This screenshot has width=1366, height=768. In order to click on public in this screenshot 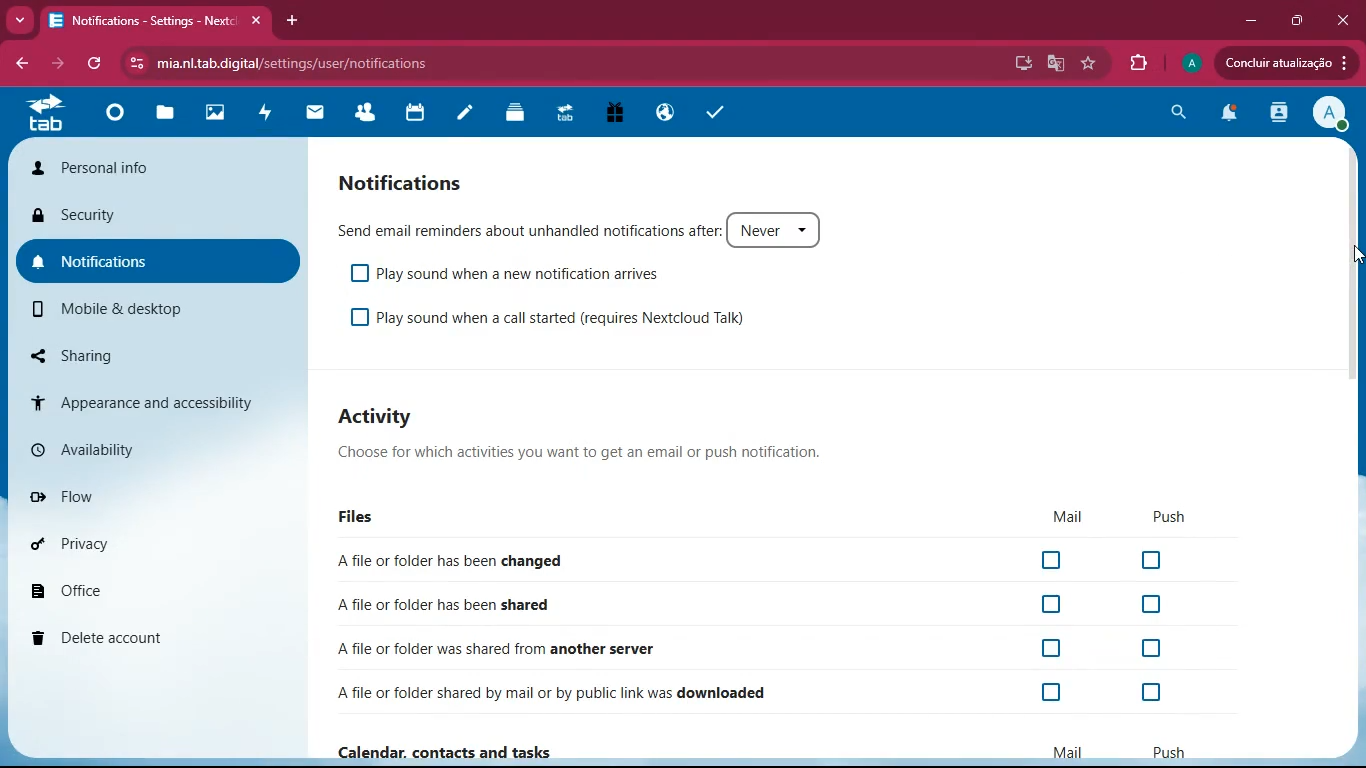, I will do `click(669, 113)`.